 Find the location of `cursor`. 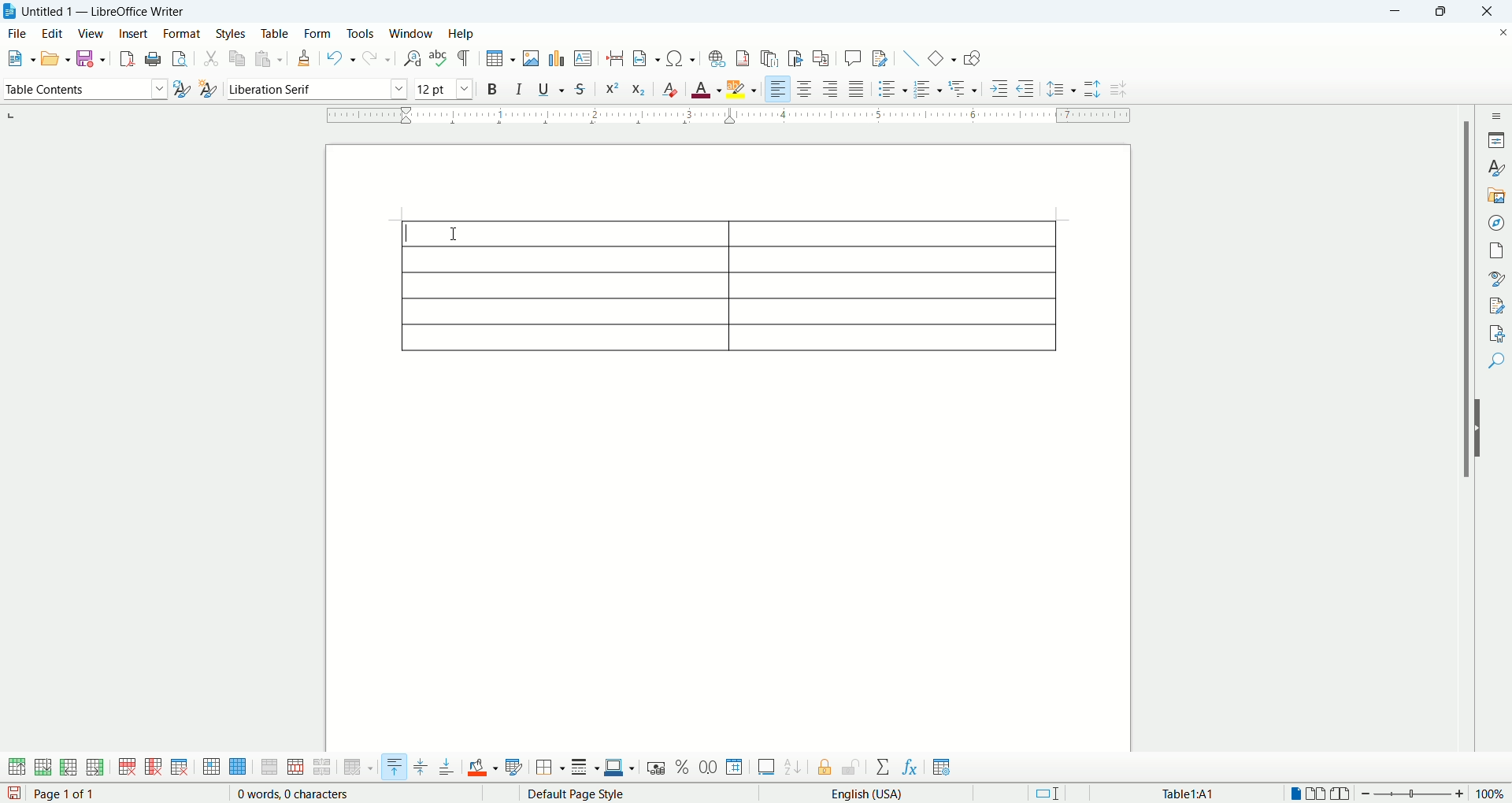

cursor is located at coordinates (453, 235).